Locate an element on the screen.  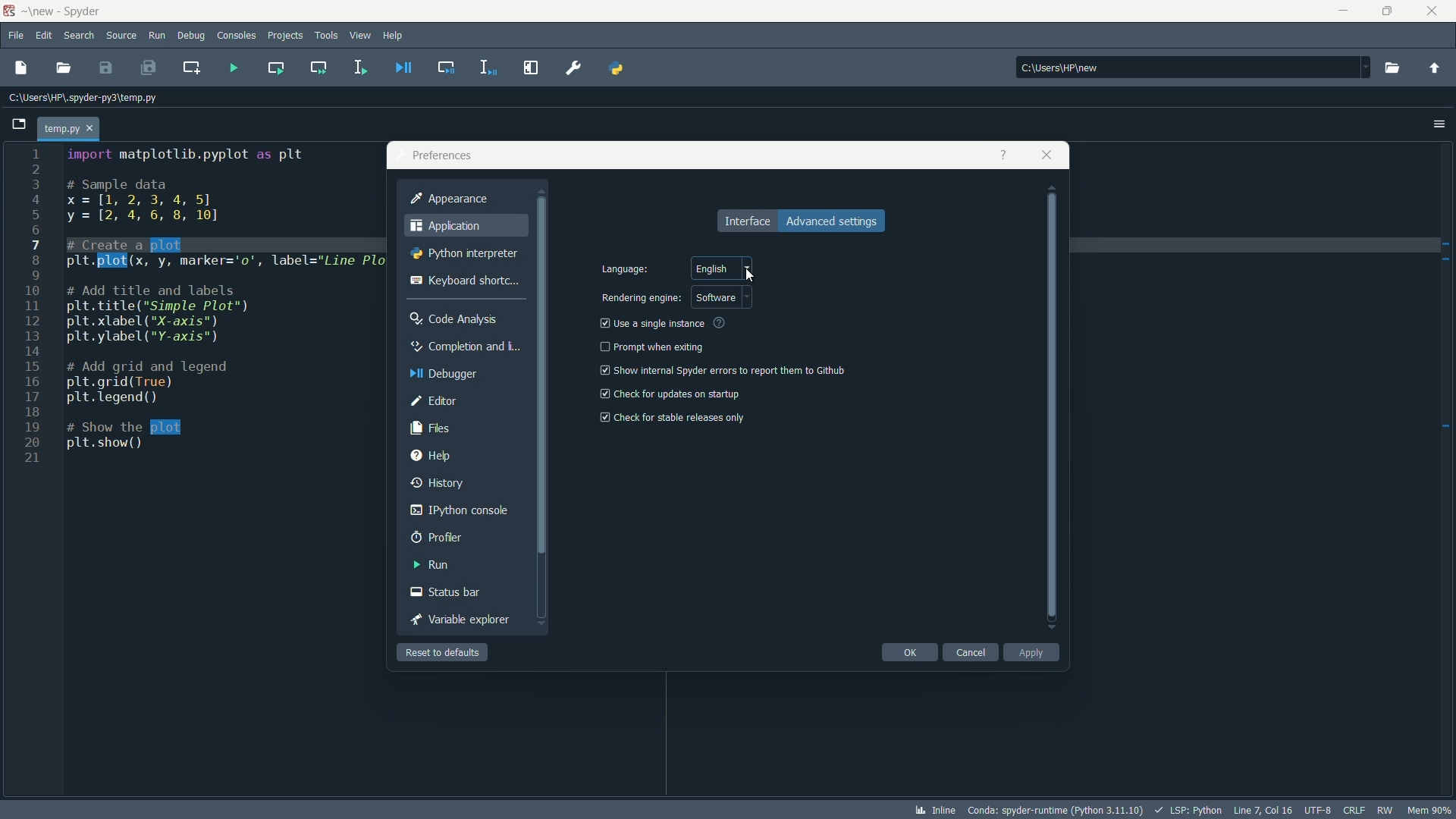
view is located at coordinates (359, 36).